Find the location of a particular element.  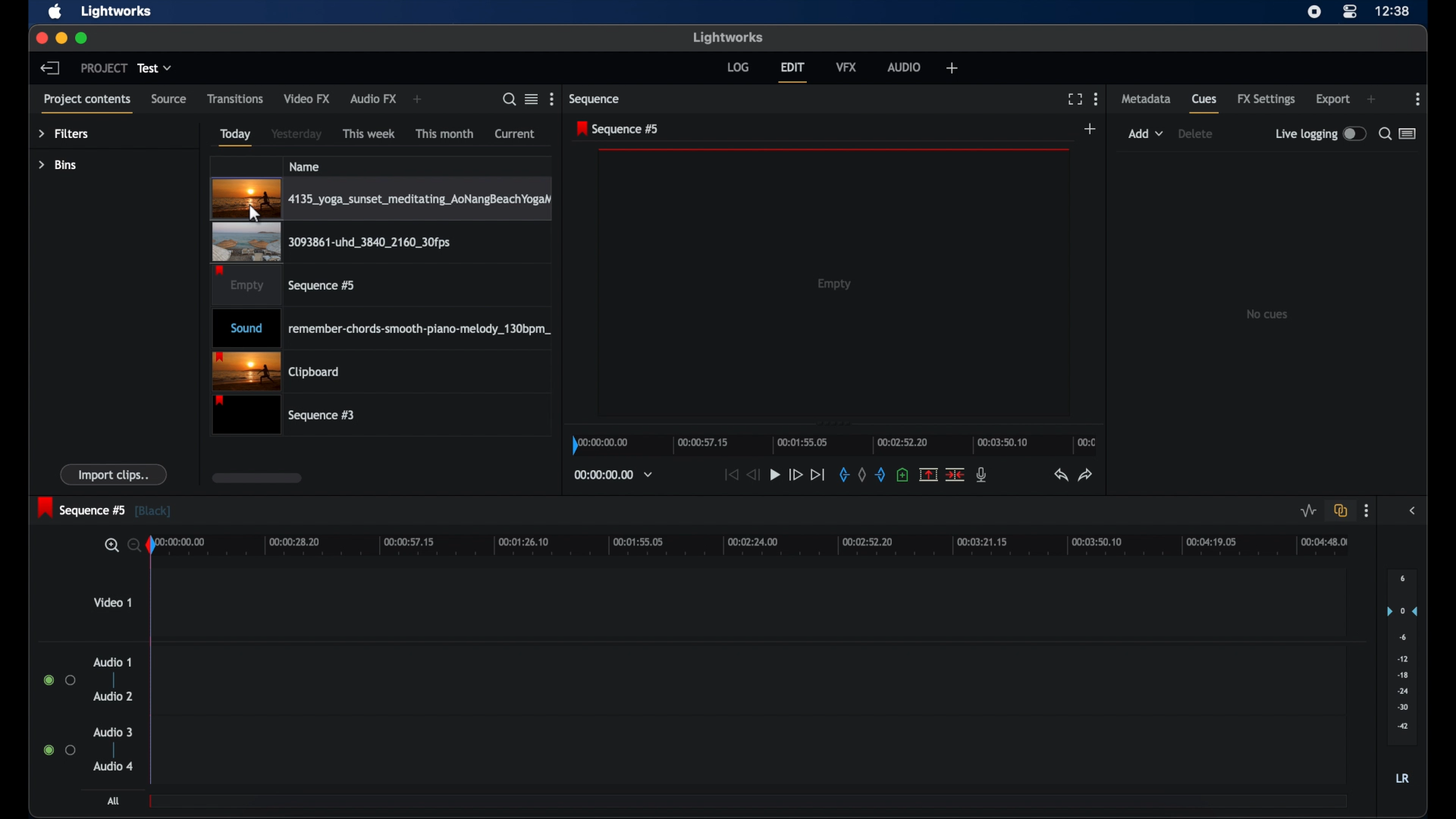

Mouse Cursor is located at coordinates (252, 215).